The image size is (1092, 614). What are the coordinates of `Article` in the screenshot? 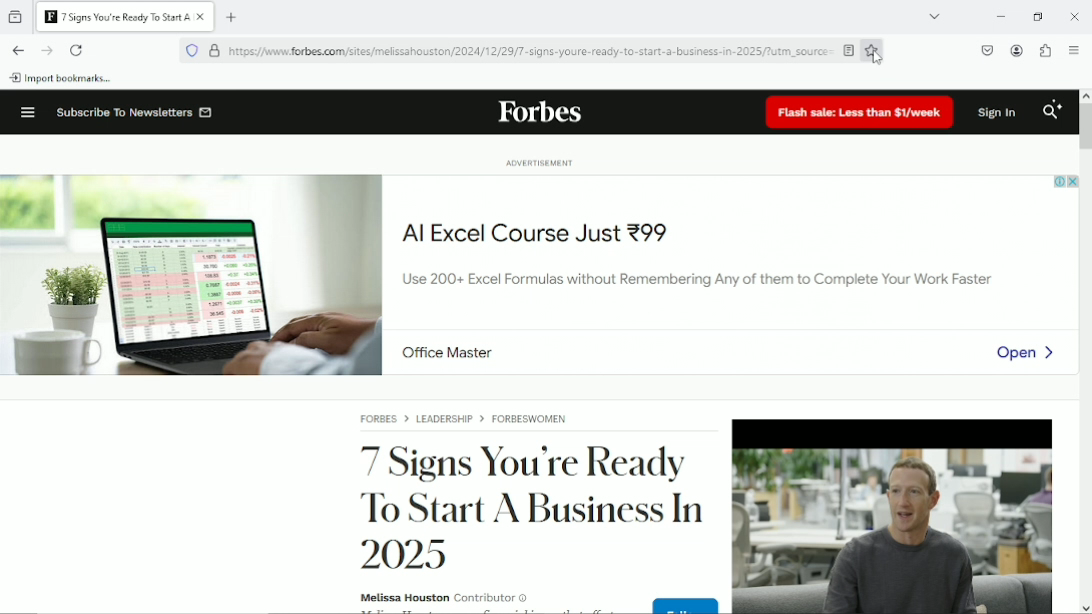 It's located at (653, 507).